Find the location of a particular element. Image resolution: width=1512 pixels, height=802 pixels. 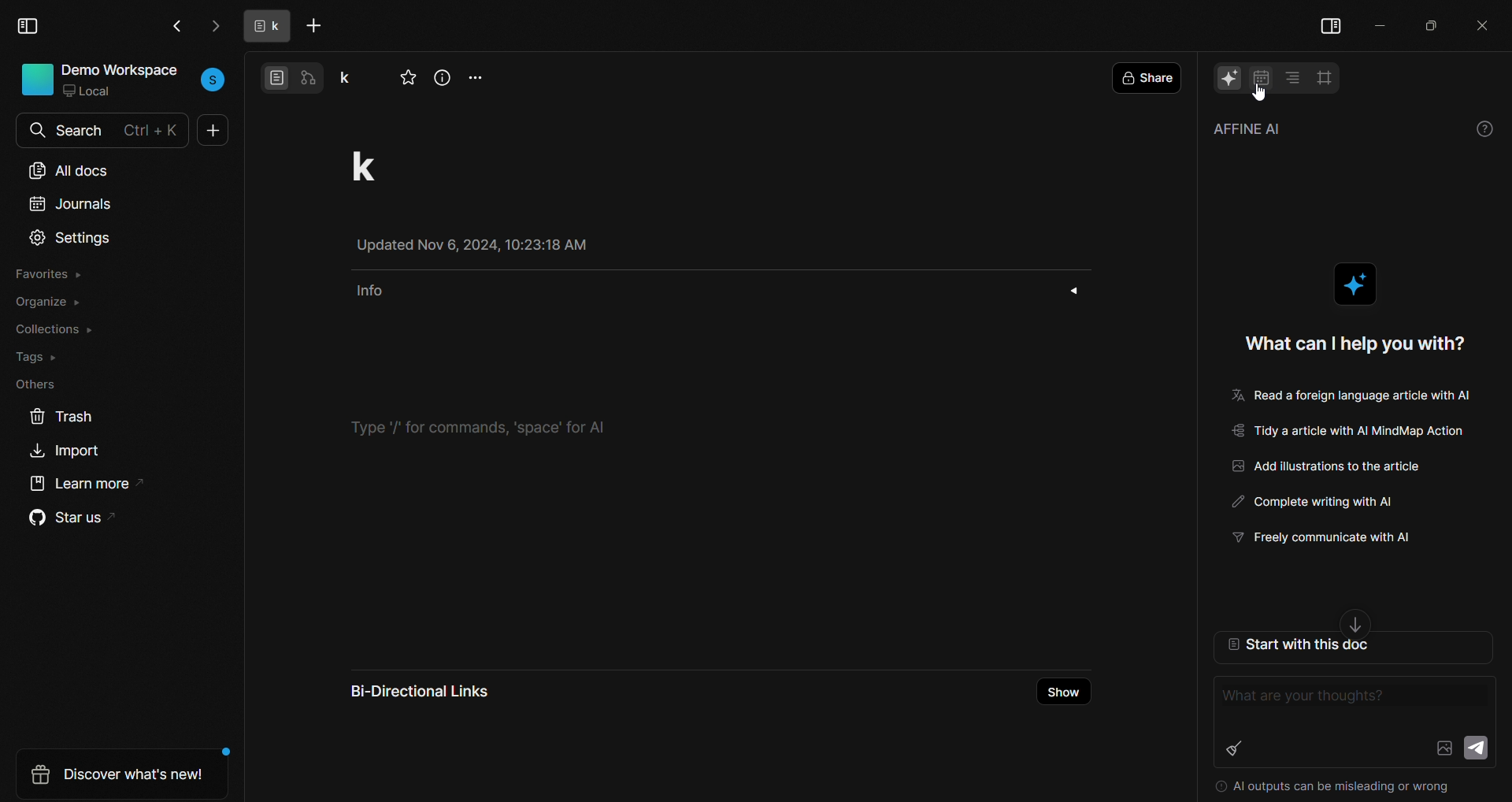

start with this doc is located at coordinates (1319, 648).